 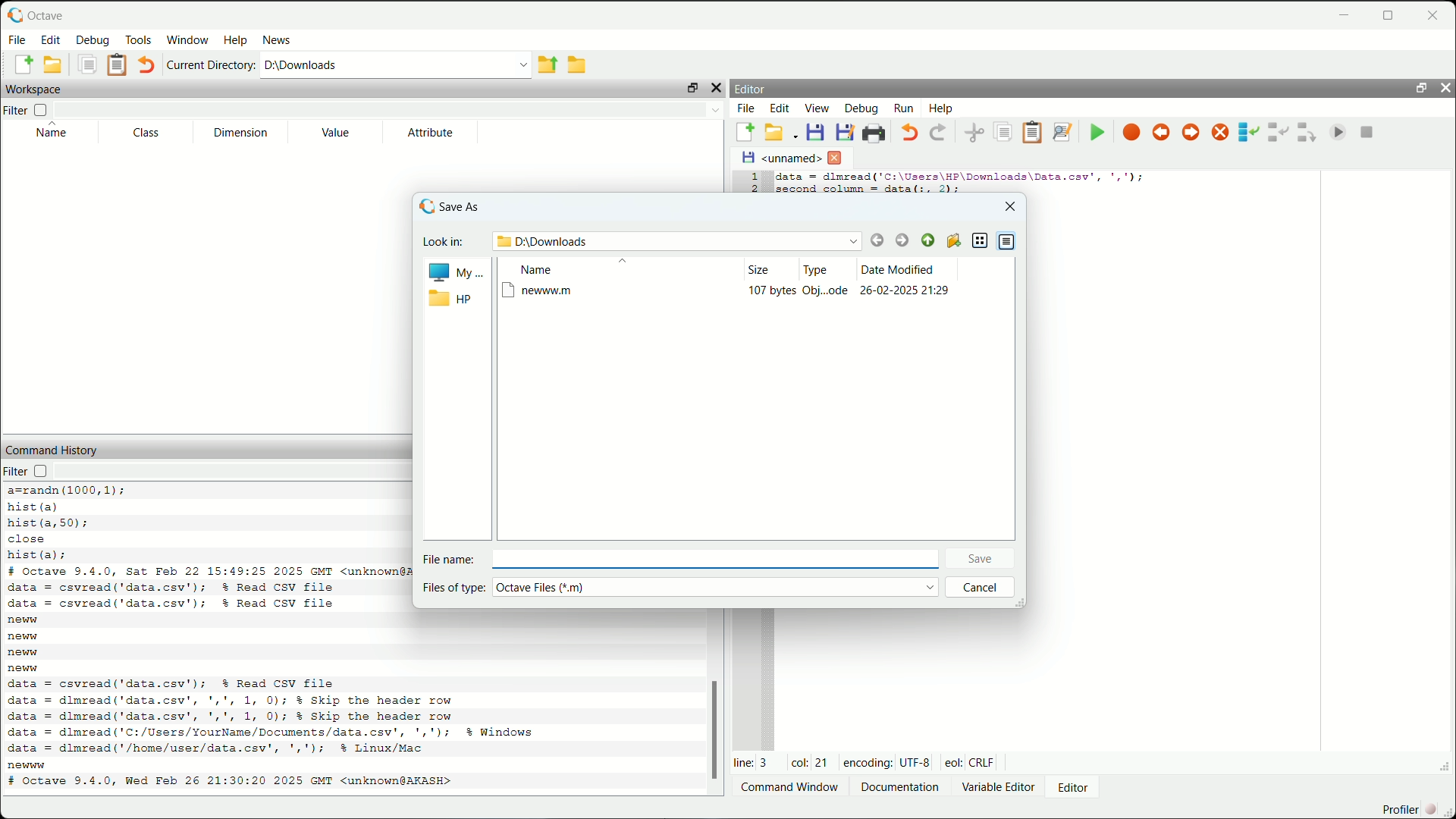 What do you see at coordinates (791, 788) in the screenshot?
I see `Command window` at bounding box center [791, 788].